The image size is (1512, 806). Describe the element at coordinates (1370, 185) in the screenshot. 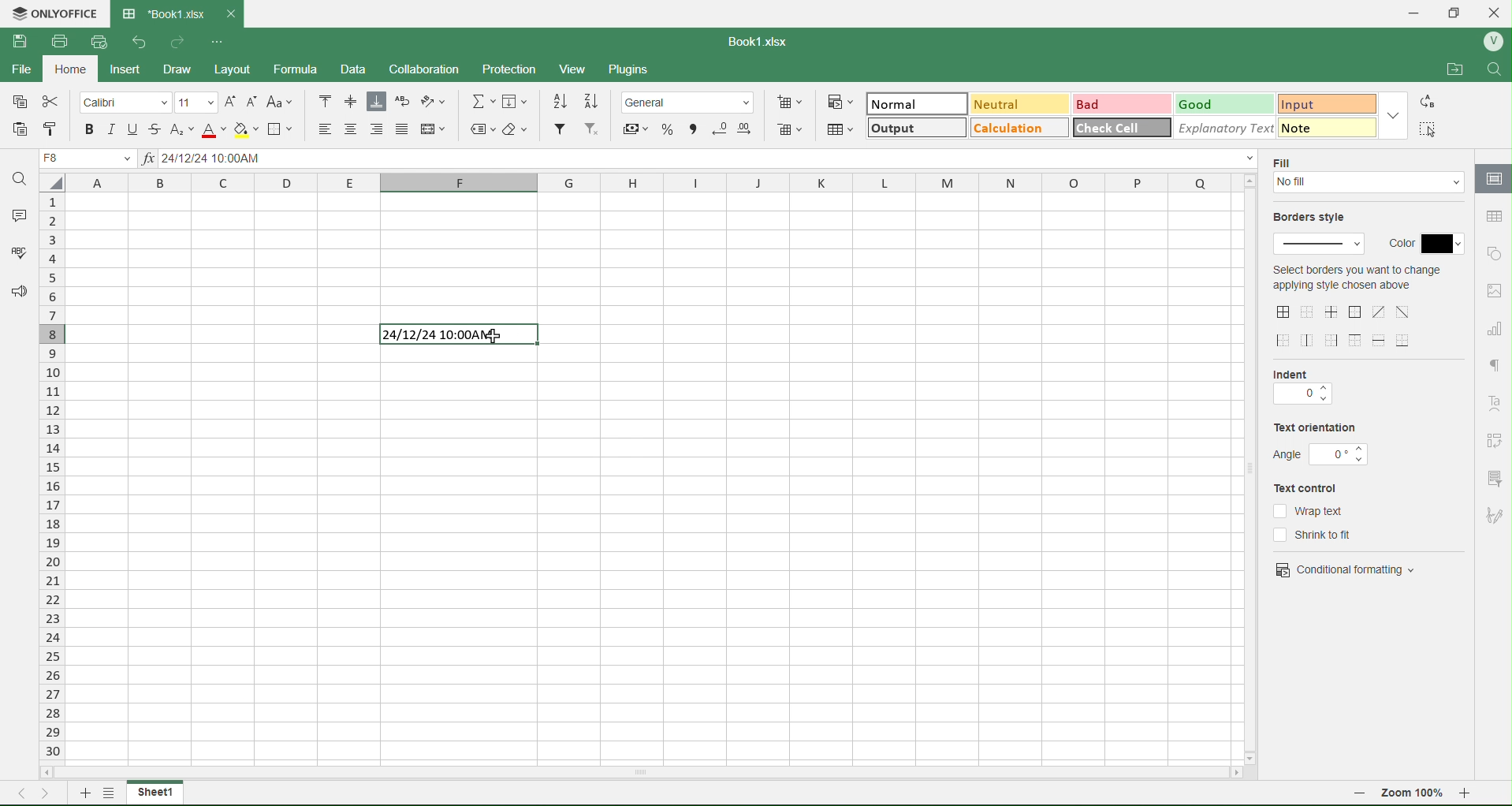

I see `fill` at that location.